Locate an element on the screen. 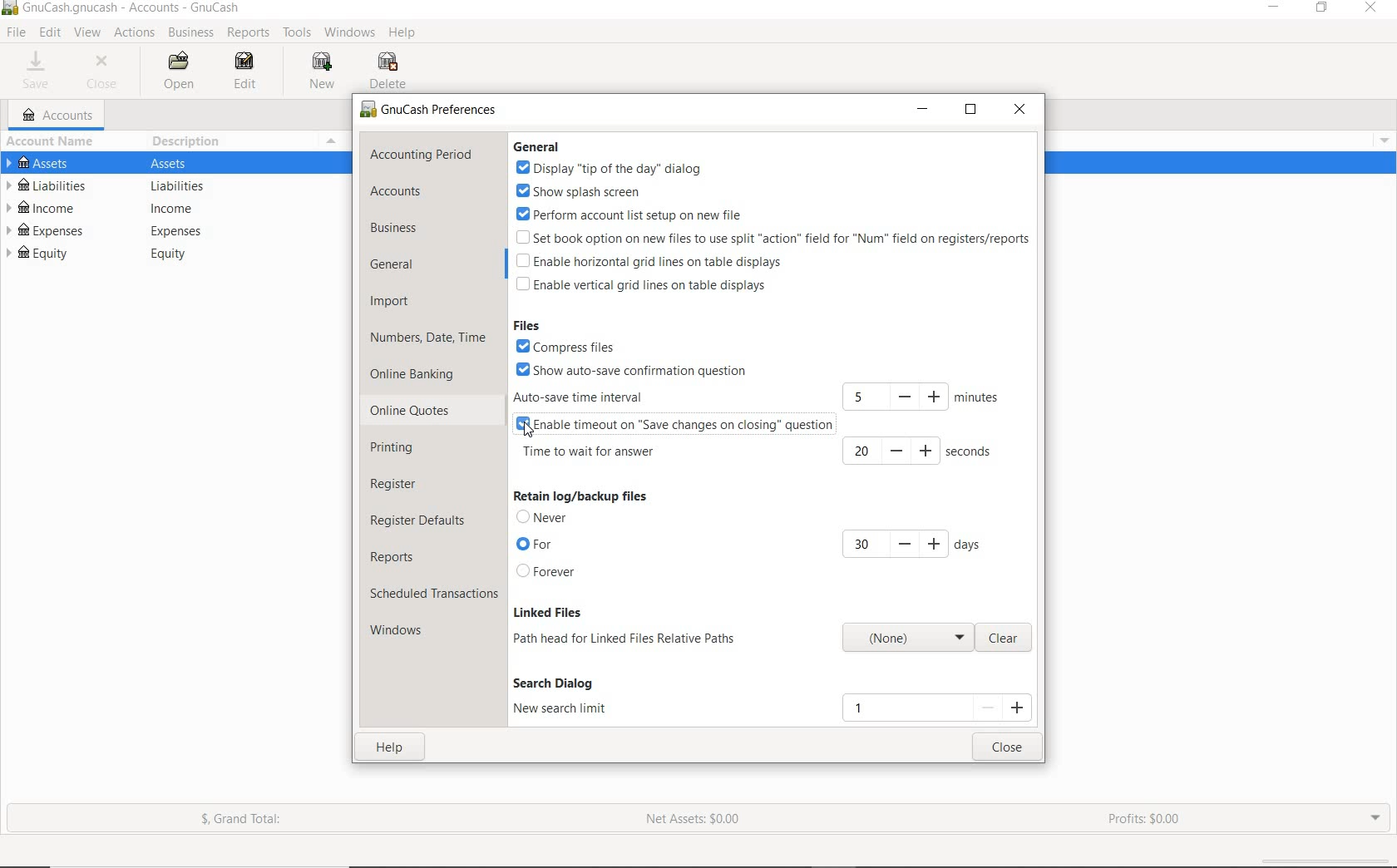  SCHEDULED TRANSACTIONS is located at coordinates (432, 594).